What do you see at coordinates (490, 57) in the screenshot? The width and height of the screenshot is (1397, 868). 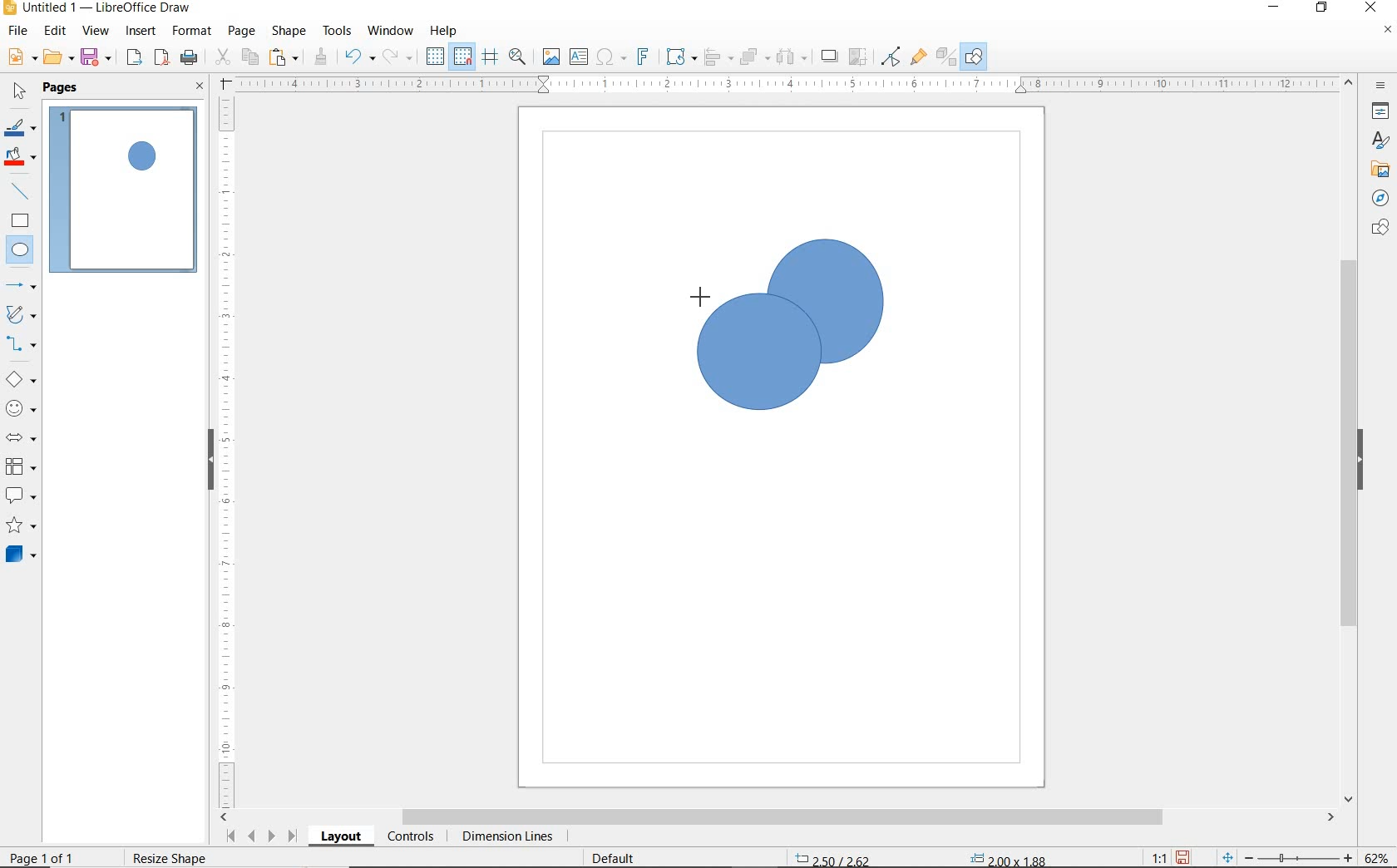 I see `HELPLINES WHILE MOVING` at bounding box center [490, 57].